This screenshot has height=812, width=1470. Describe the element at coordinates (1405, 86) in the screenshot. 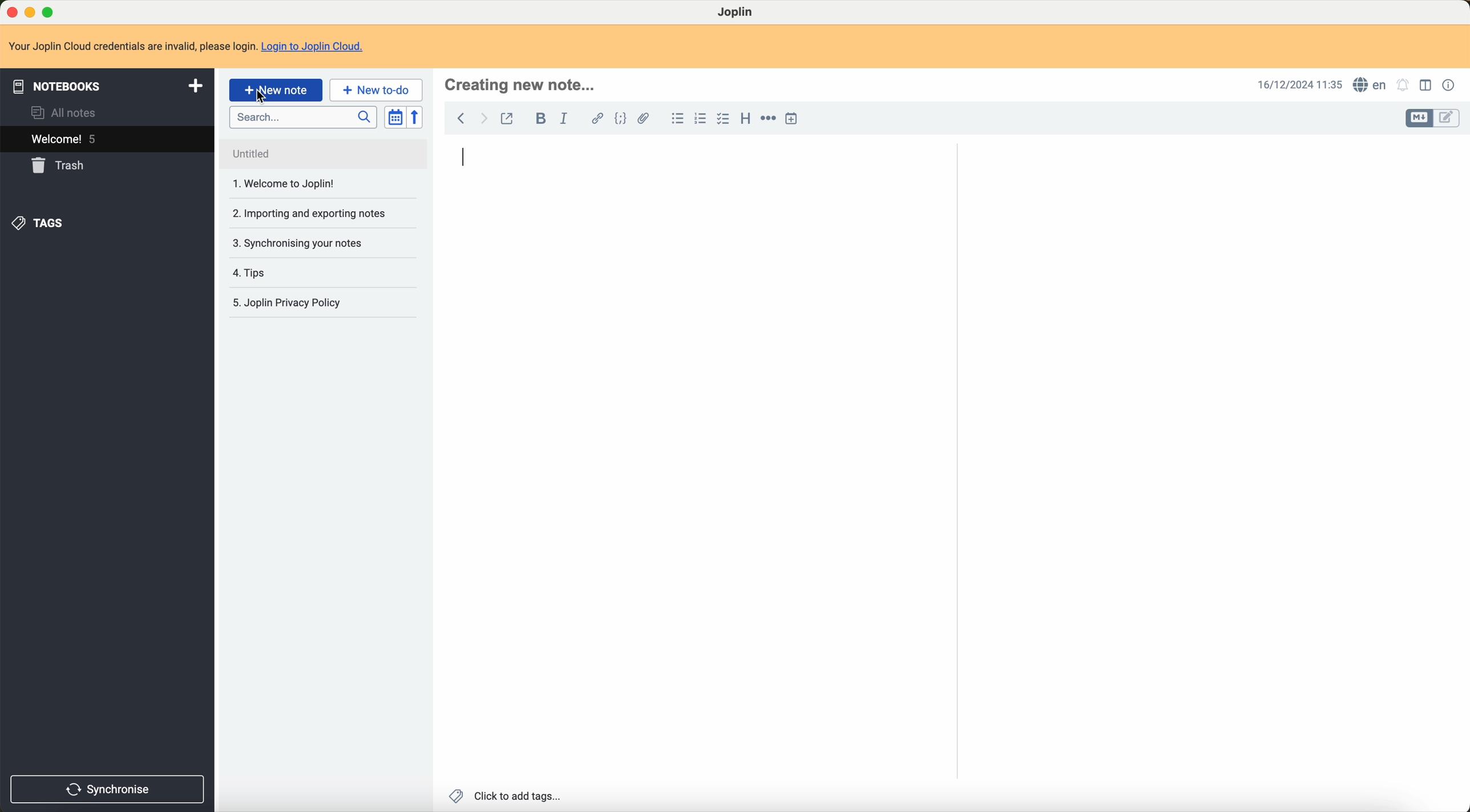

I see `set alarm` at that location.